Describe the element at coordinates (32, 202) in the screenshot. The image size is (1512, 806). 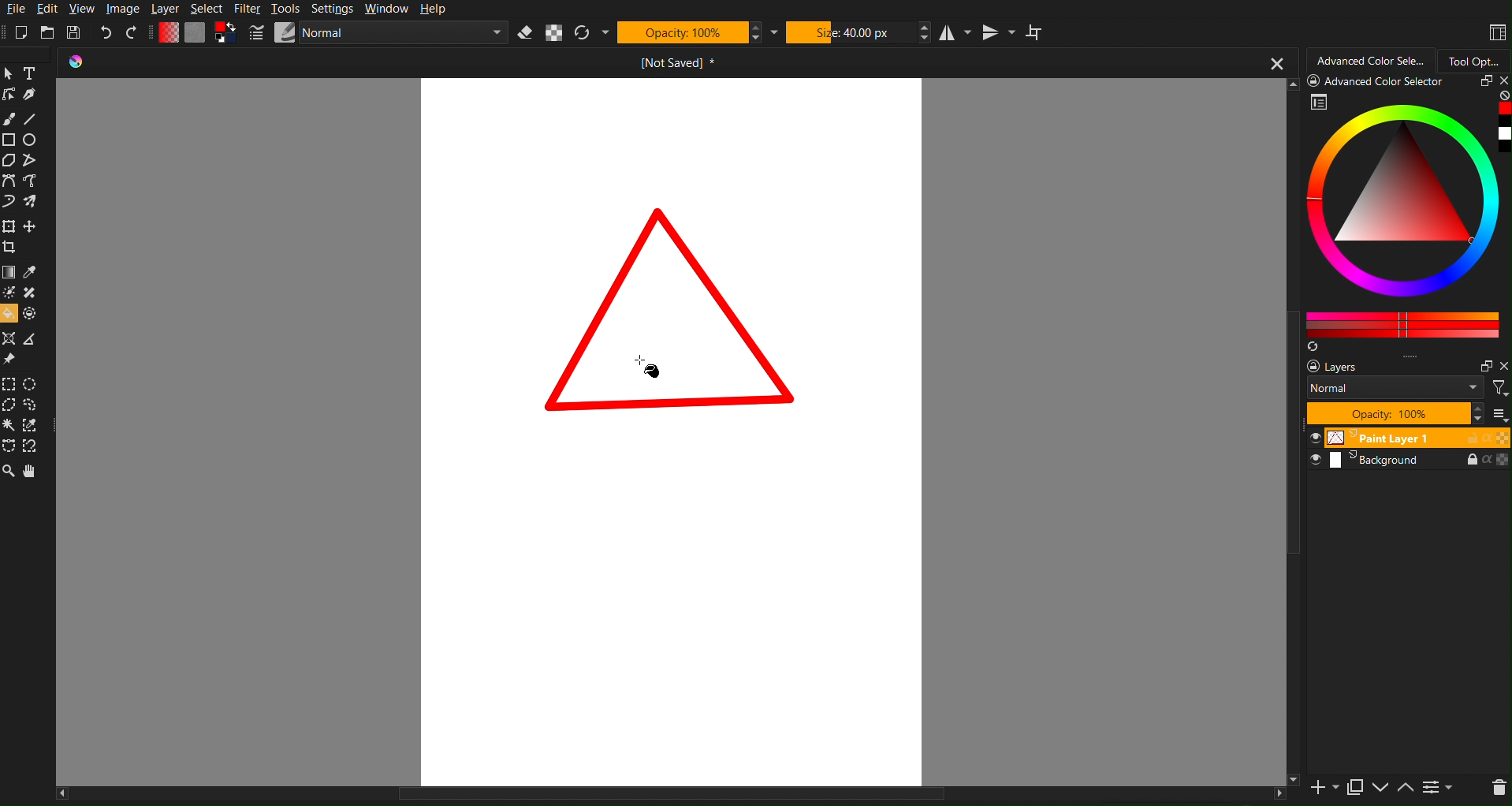
I see `multibrush tool` at that location.